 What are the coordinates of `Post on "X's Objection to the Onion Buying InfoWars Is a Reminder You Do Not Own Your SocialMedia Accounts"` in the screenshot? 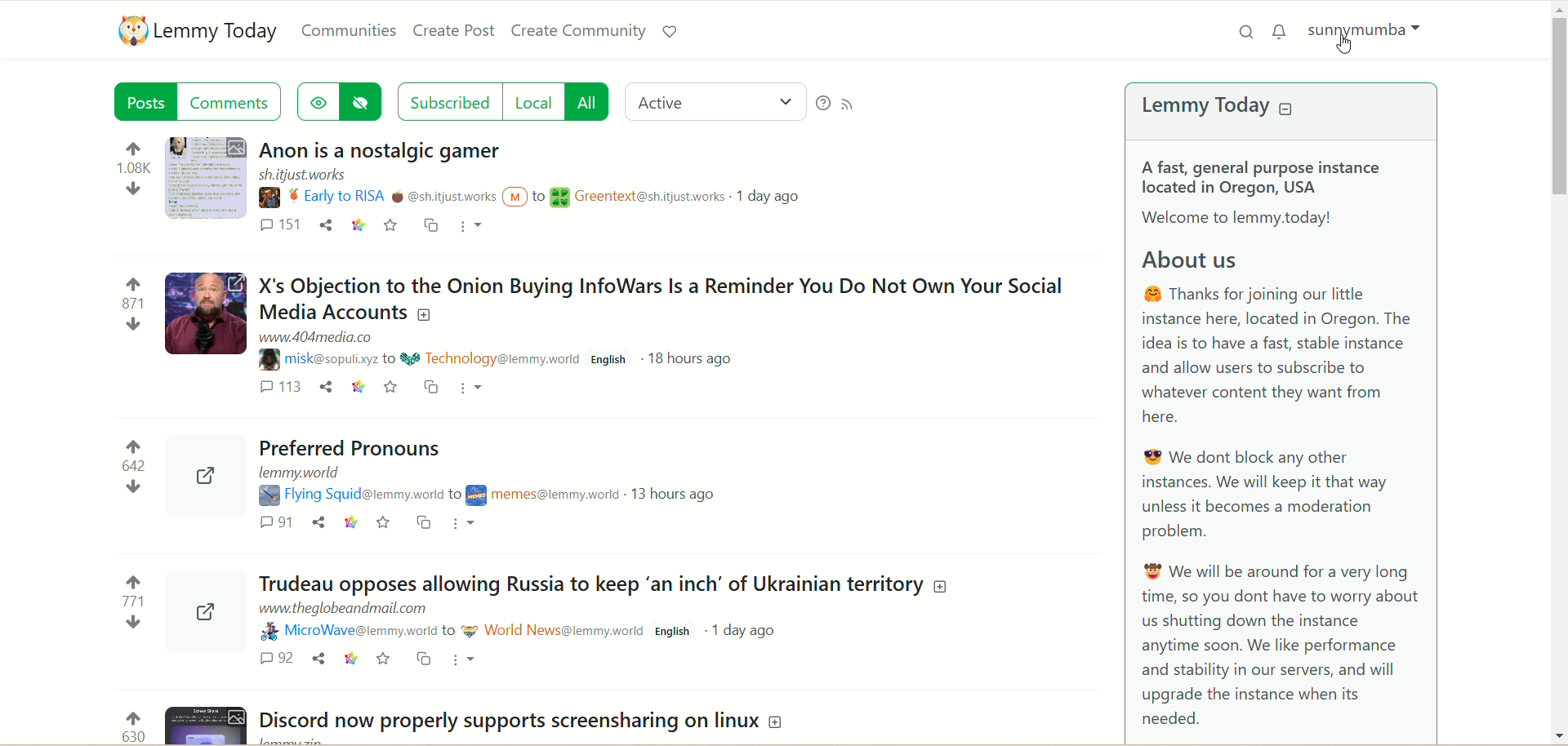 It's located at (661, 295).